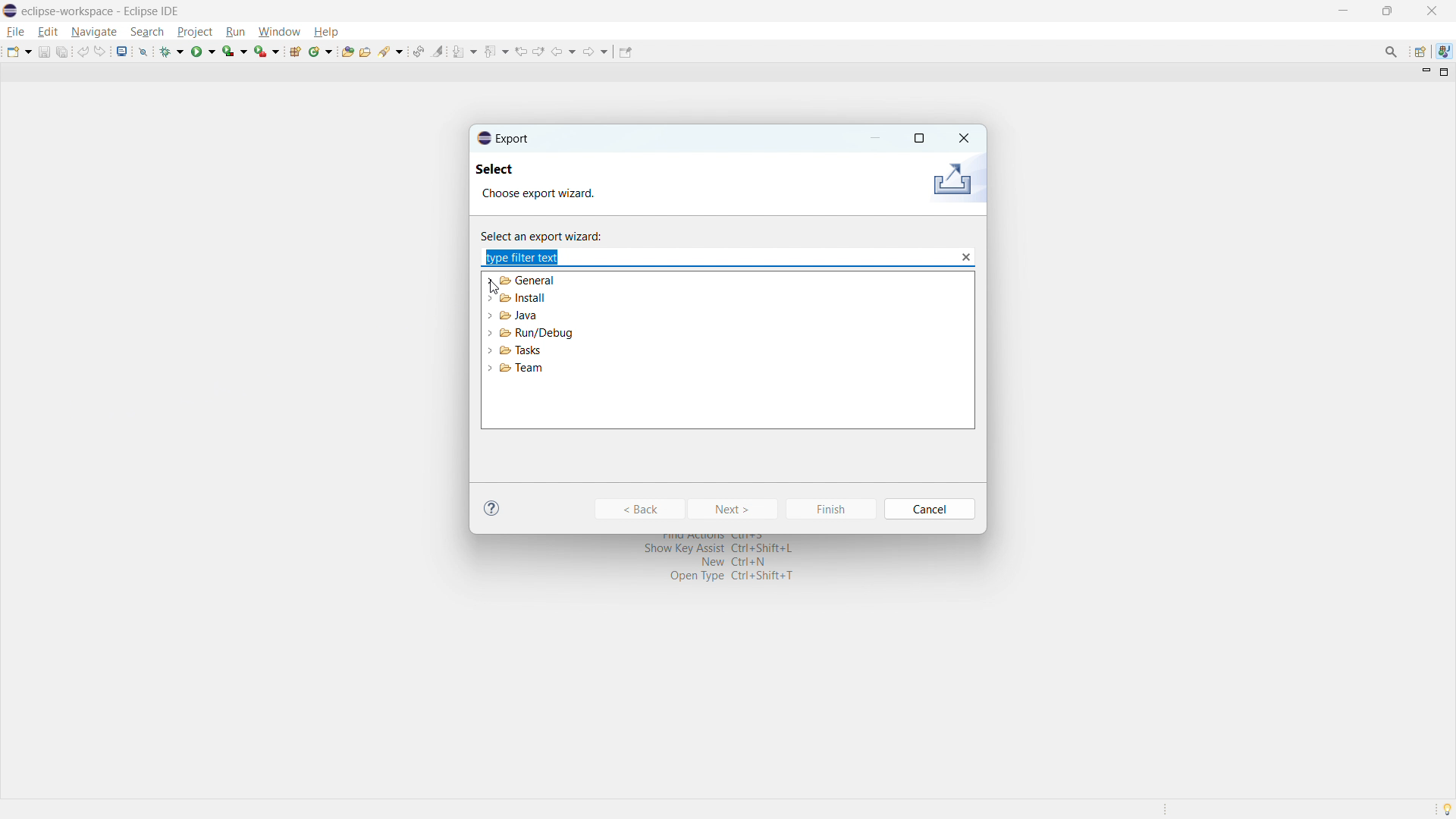 The width and height of the screenshot is (1456, 819). What do you see at coordinates (522, 298) in the screenshot?
I see `install` at bounding box center [522, 298].